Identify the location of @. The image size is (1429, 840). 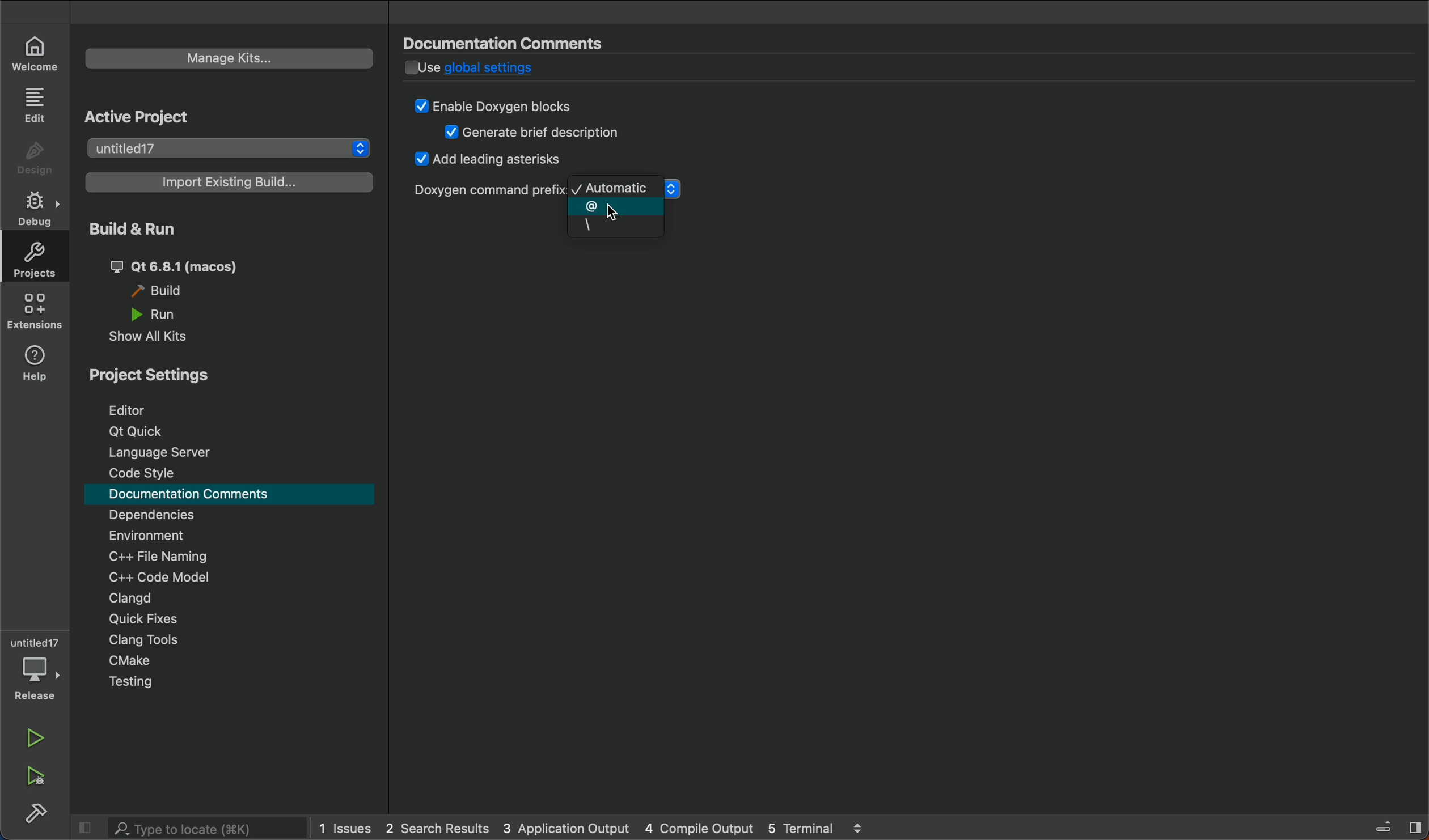
(616, 207).